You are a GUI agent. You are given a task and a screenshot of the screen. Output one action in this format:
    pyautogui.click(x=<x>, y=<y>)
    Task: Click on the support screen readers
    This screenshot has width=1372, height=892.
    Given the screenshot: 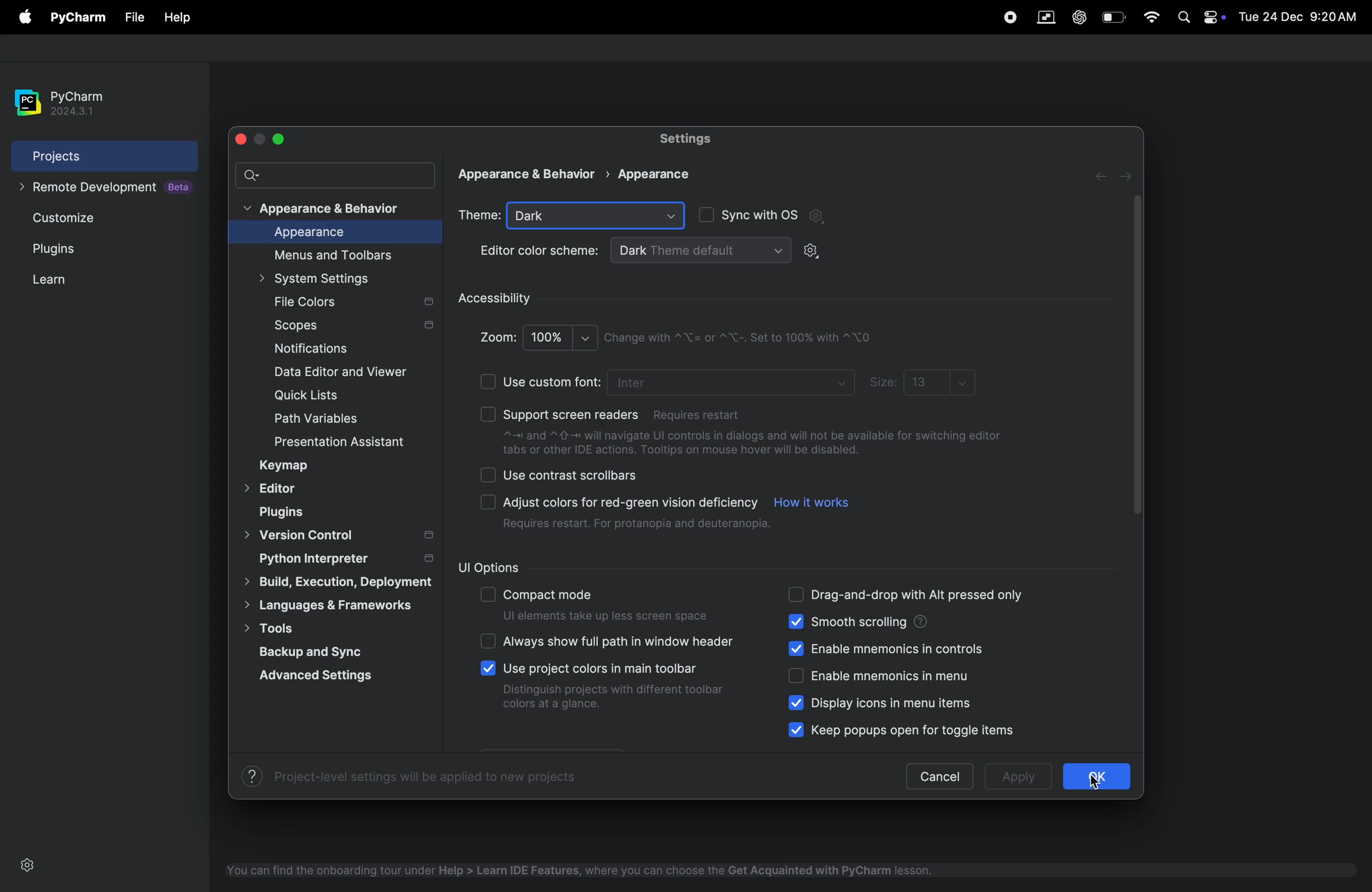 What is the action you would take?
    pyautogui.click(x=624, y=411)
    